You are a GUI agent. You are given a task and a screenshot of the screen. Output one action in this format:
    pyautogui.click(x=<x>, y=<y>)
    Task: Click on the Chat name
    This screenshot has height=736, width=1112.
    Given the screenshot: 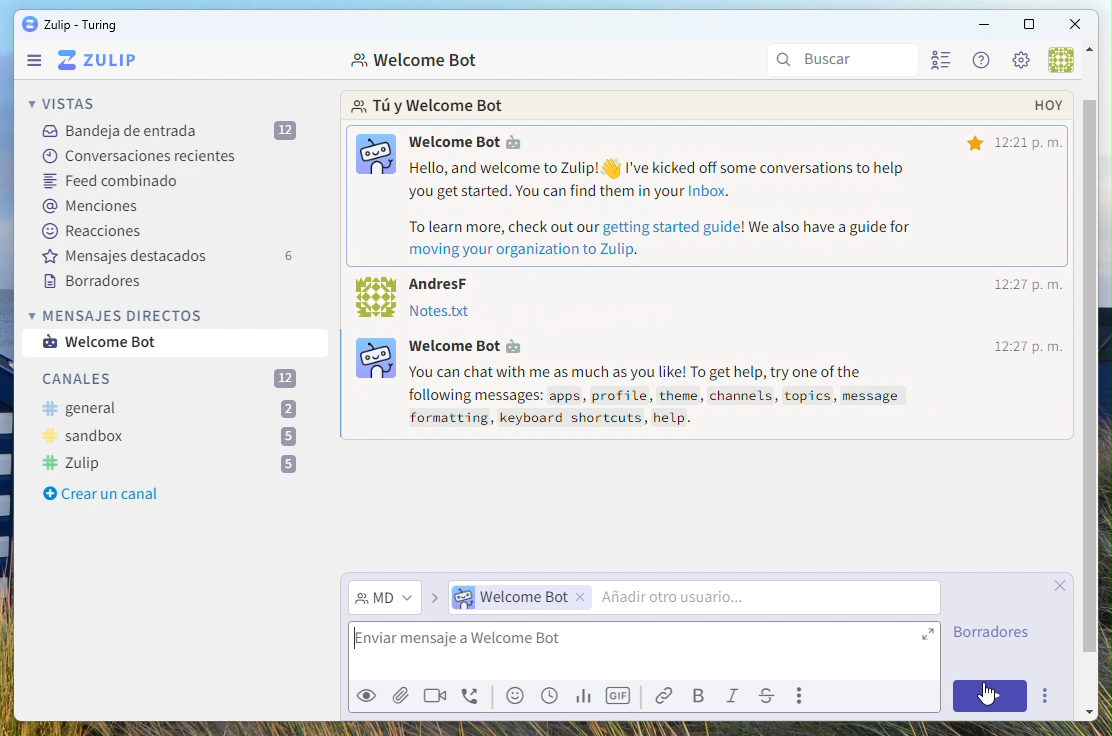 What is the action you would take?
    pyautogui.click(x=417, y=62)
    